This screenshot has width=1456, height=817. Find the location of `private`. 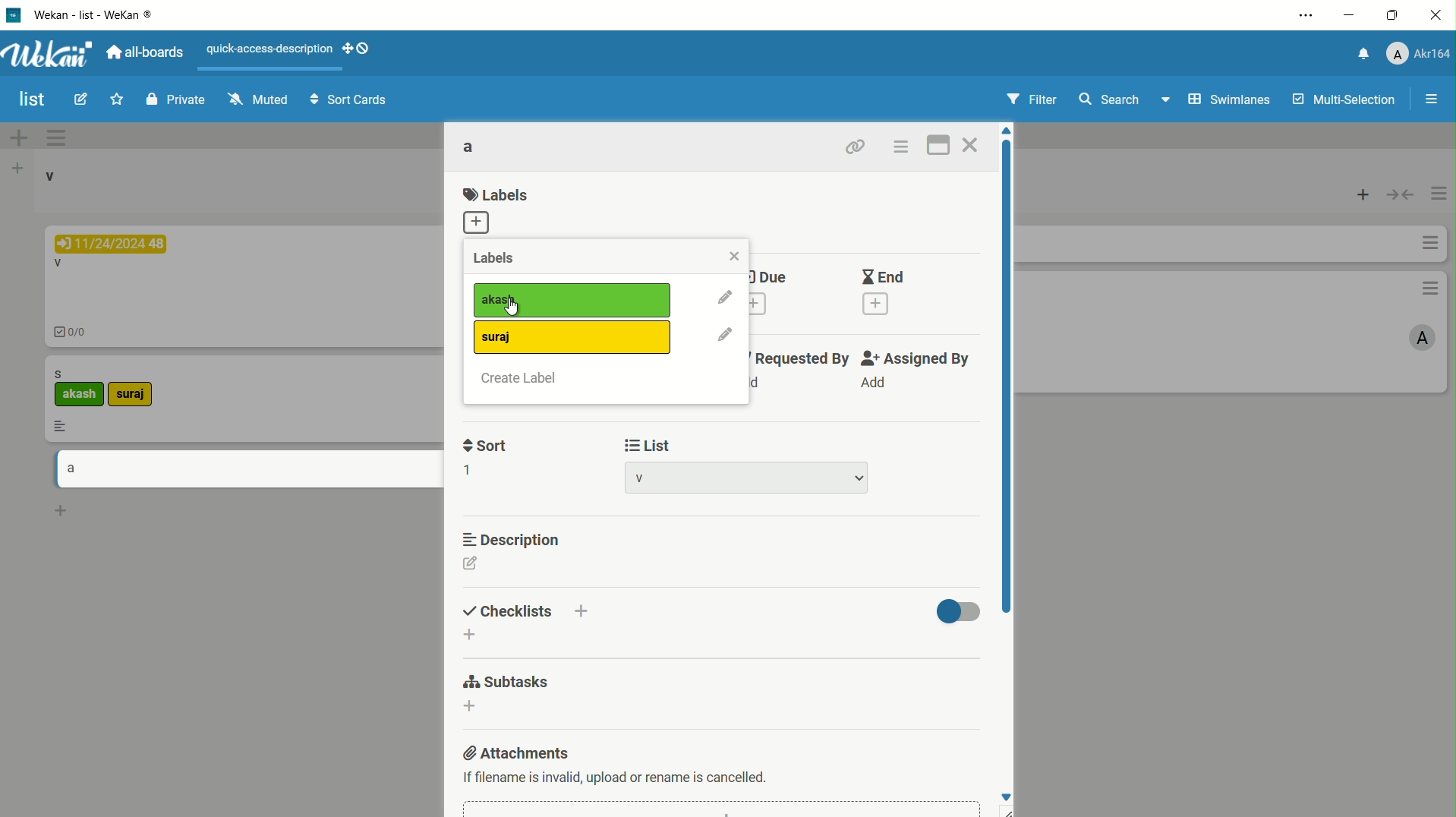

private is located at coordinates (173, 102).